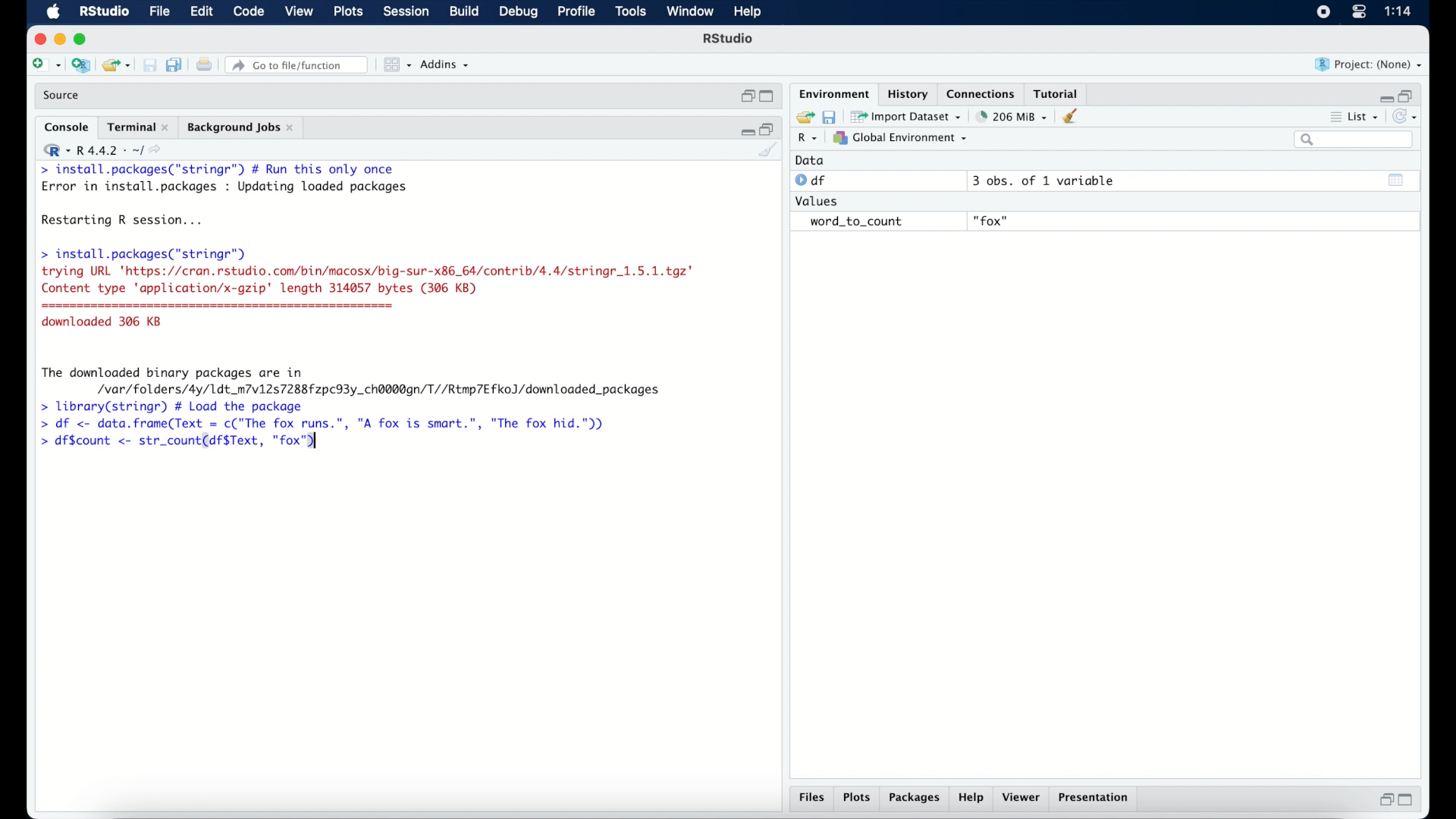  Describe the element at coordinates (367, 330) in the screenshot. I see `> install.packages("stringr")

trying URL 'https://cran.rstudio.com/bin/macosx/big-sur-x86_64/contrib/4.4/stringr_1.5.1.tgz"

Content type application/x-gzip' length 314057 bytes (306 KB)

downloaded 306 KB

The downloaded binary packages are in
/var/folders/4y/1dt_m7v12s7288fzpc93y_ch@@0dgn/T//Rtmp7Efko)/downloaded_packages

> library(stringr) # Load the package]` at that location.